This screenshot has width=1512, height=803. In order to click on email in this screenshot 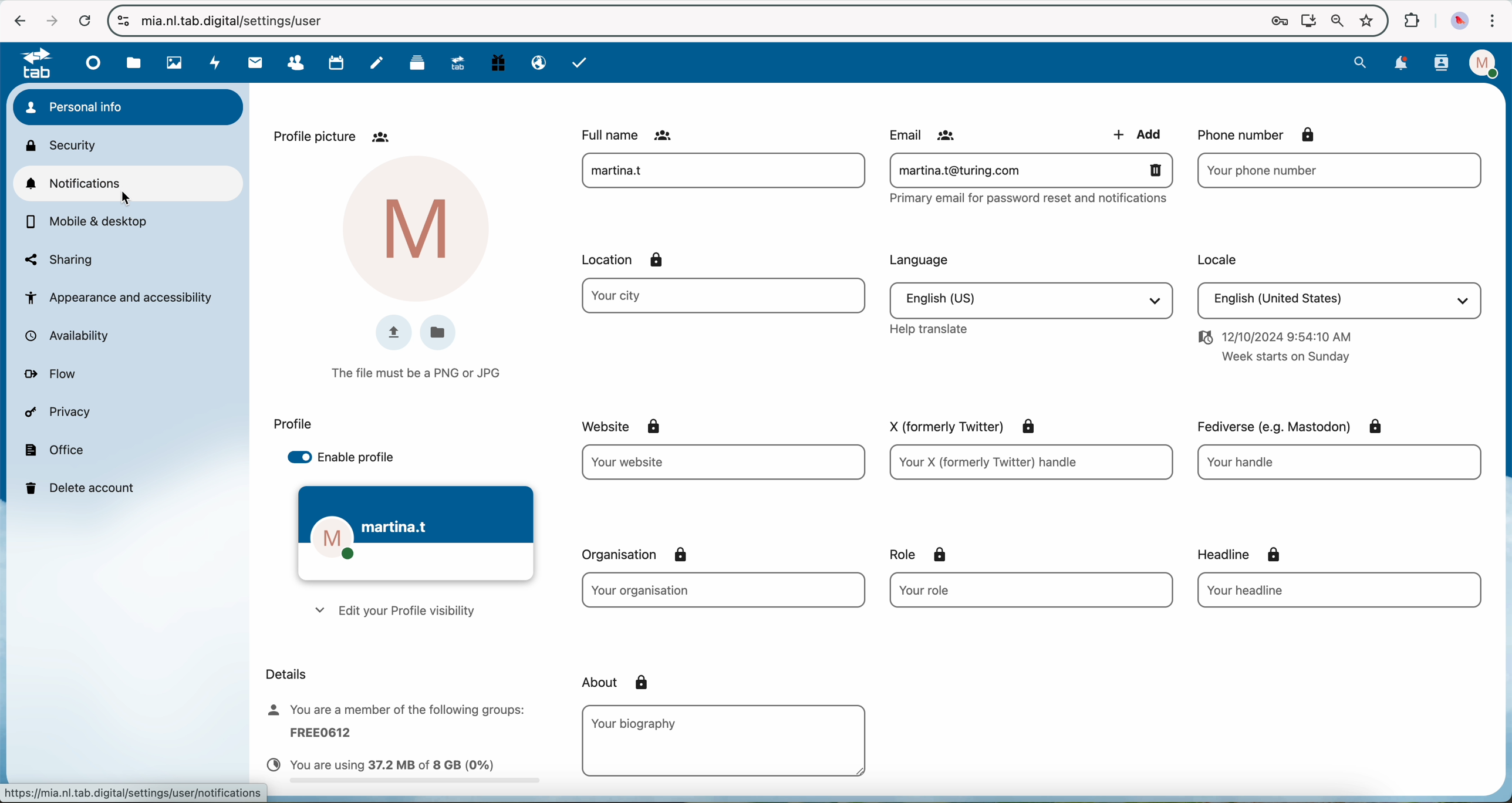, I will do `click(536, 63)`.